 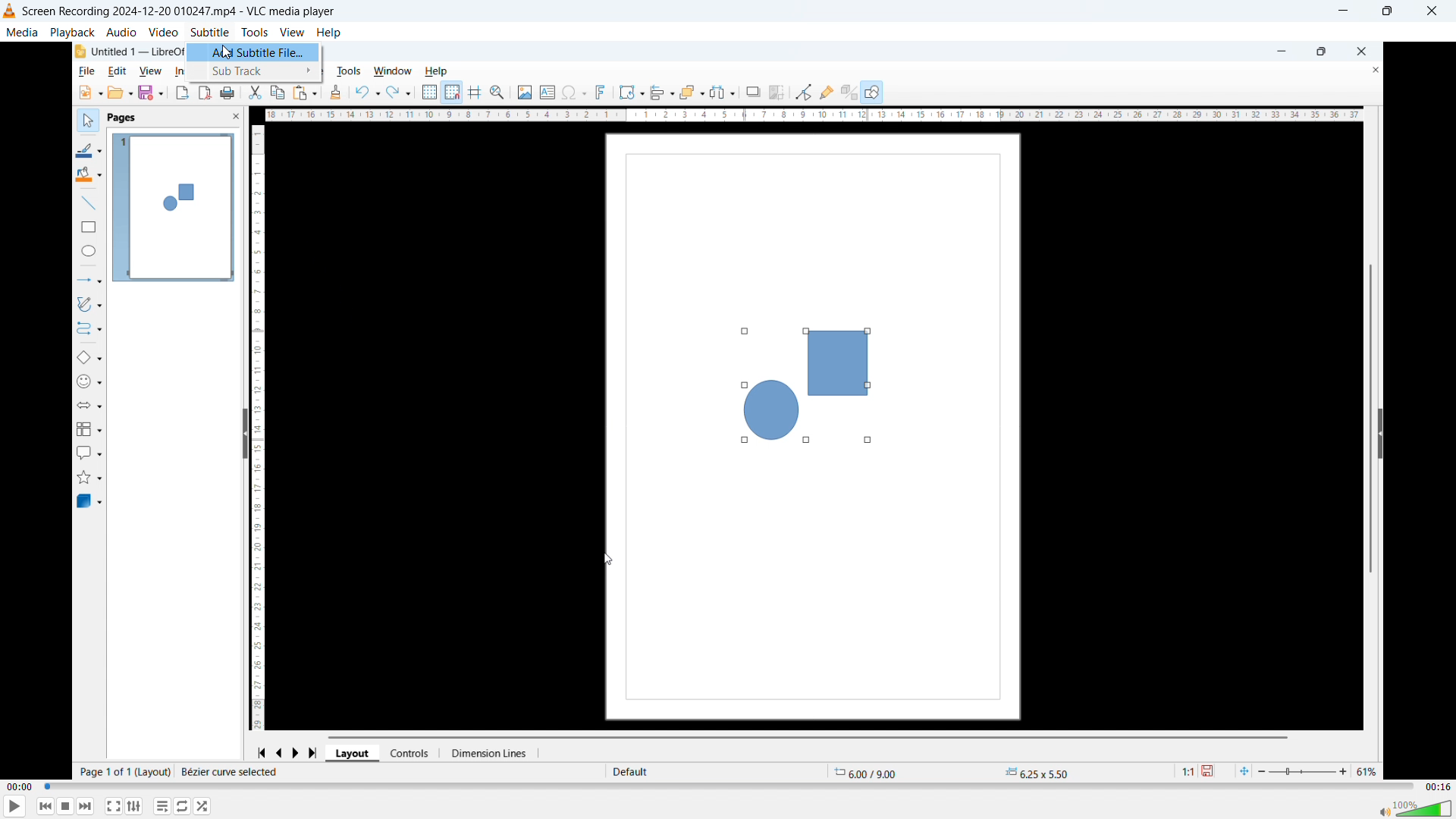 I want to click on ruler, so click(x=814, y=115).